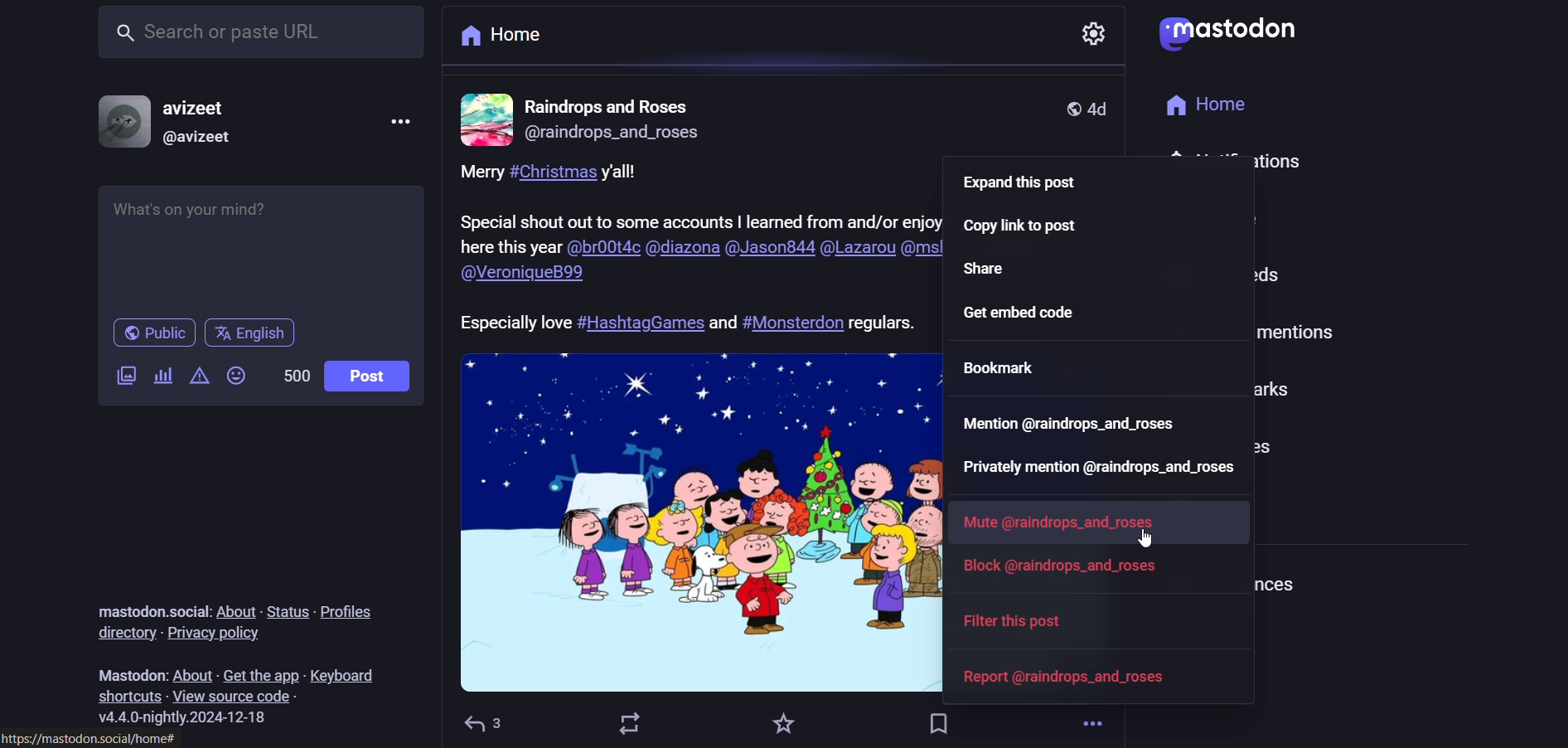 The image size is (1568, 748). What do you see at coordinates (1092, 31) in the screenshot?
I see `setting` at bounding box center [1092, 31].